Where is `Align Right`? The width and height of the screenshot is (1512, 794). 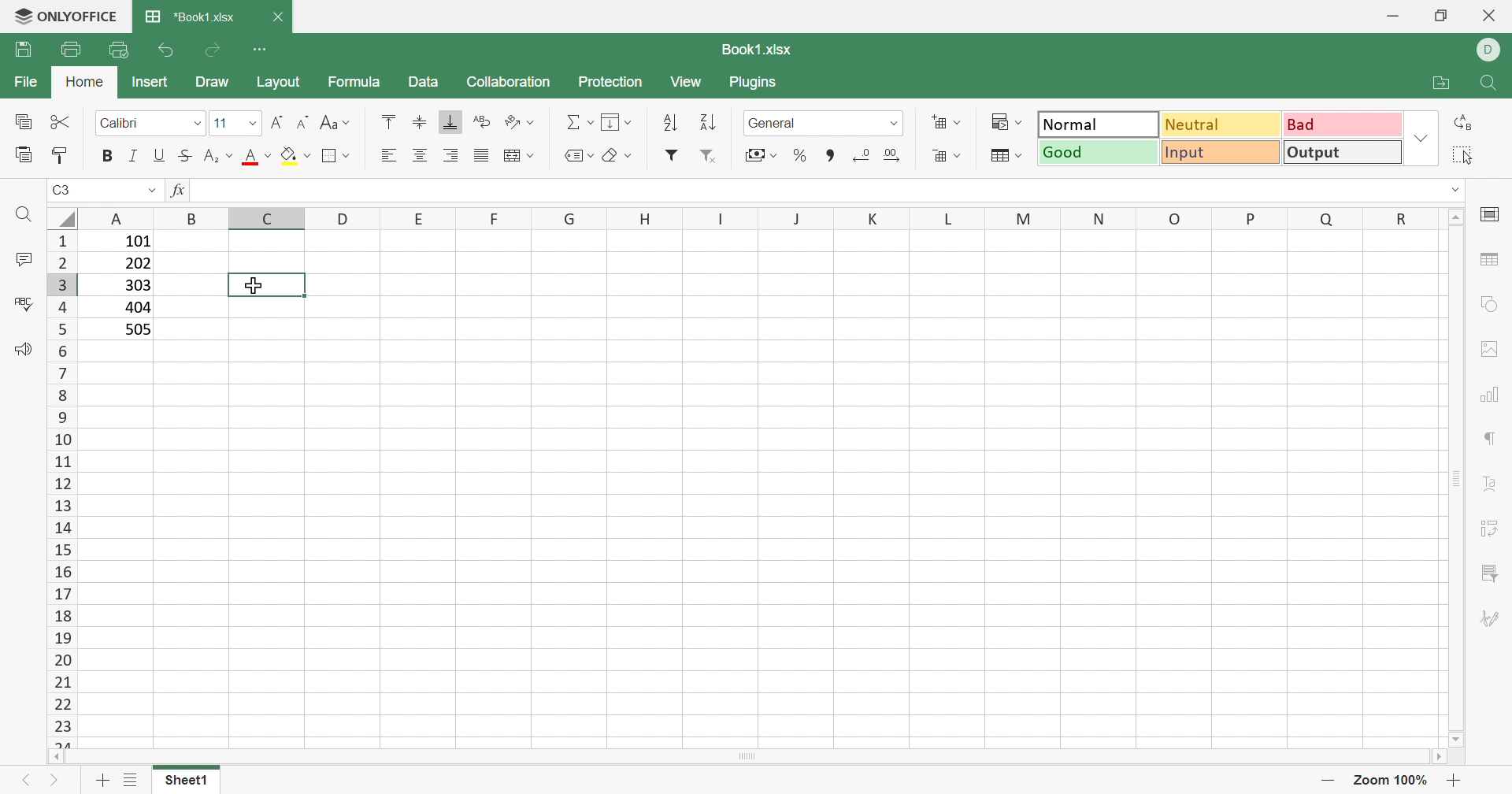
Align Right is located at coordinates (450, 157).